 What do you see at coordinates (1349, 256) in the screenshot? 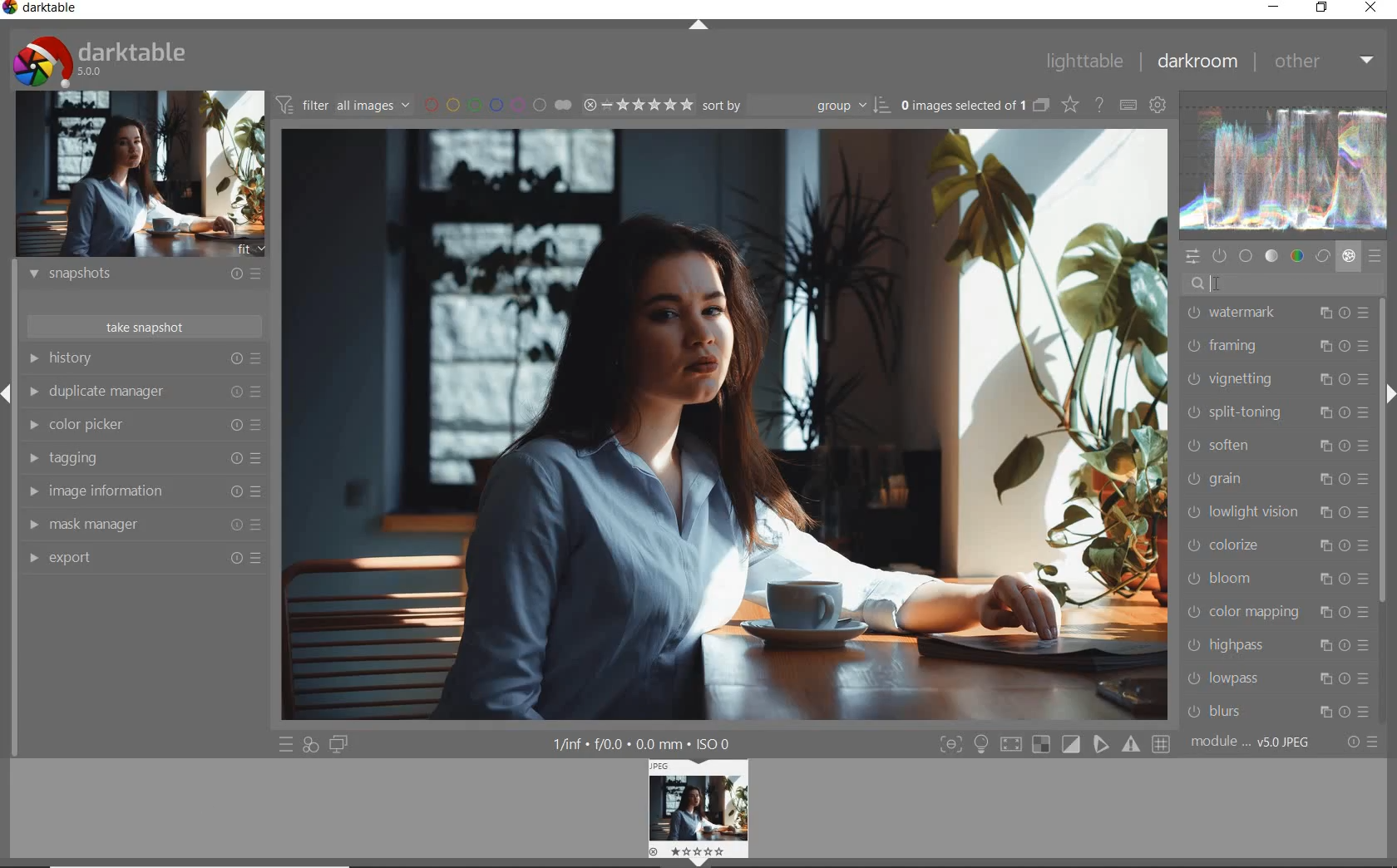
I see `effect` at bounding box center [1349, 256].